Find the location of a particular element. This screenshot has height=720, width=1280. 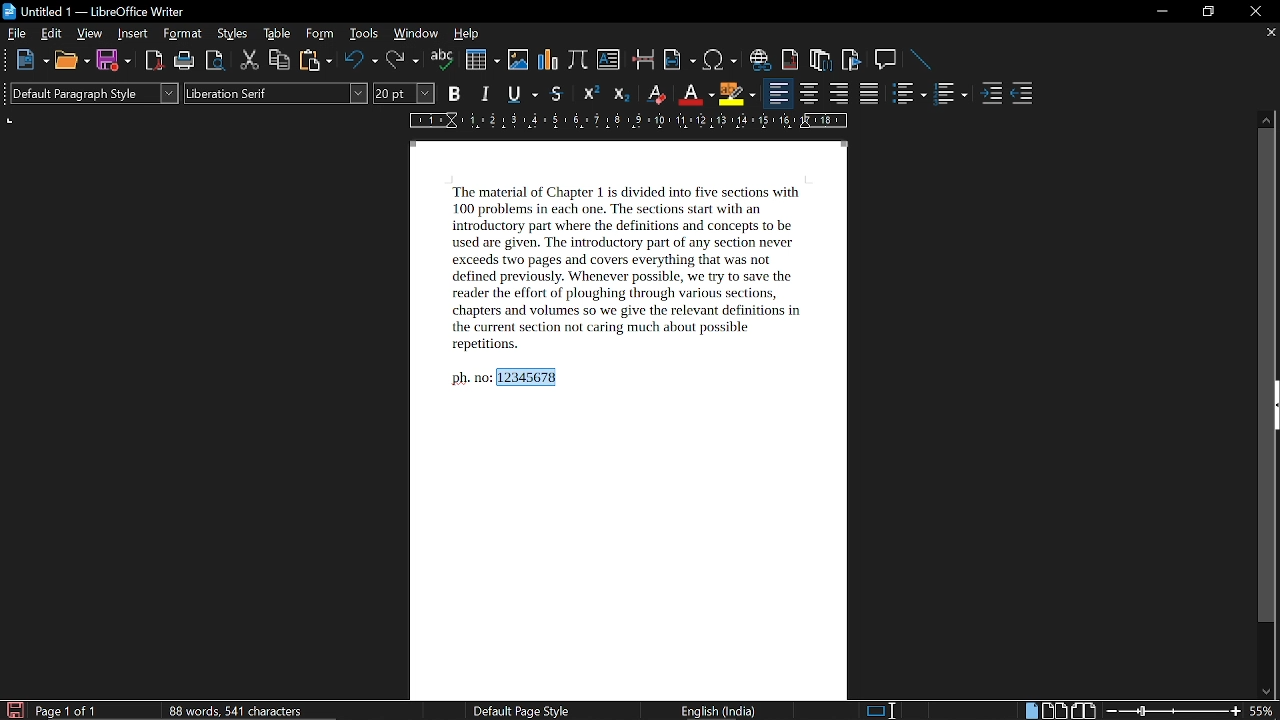

insert text is located at coordinates (610, 59).